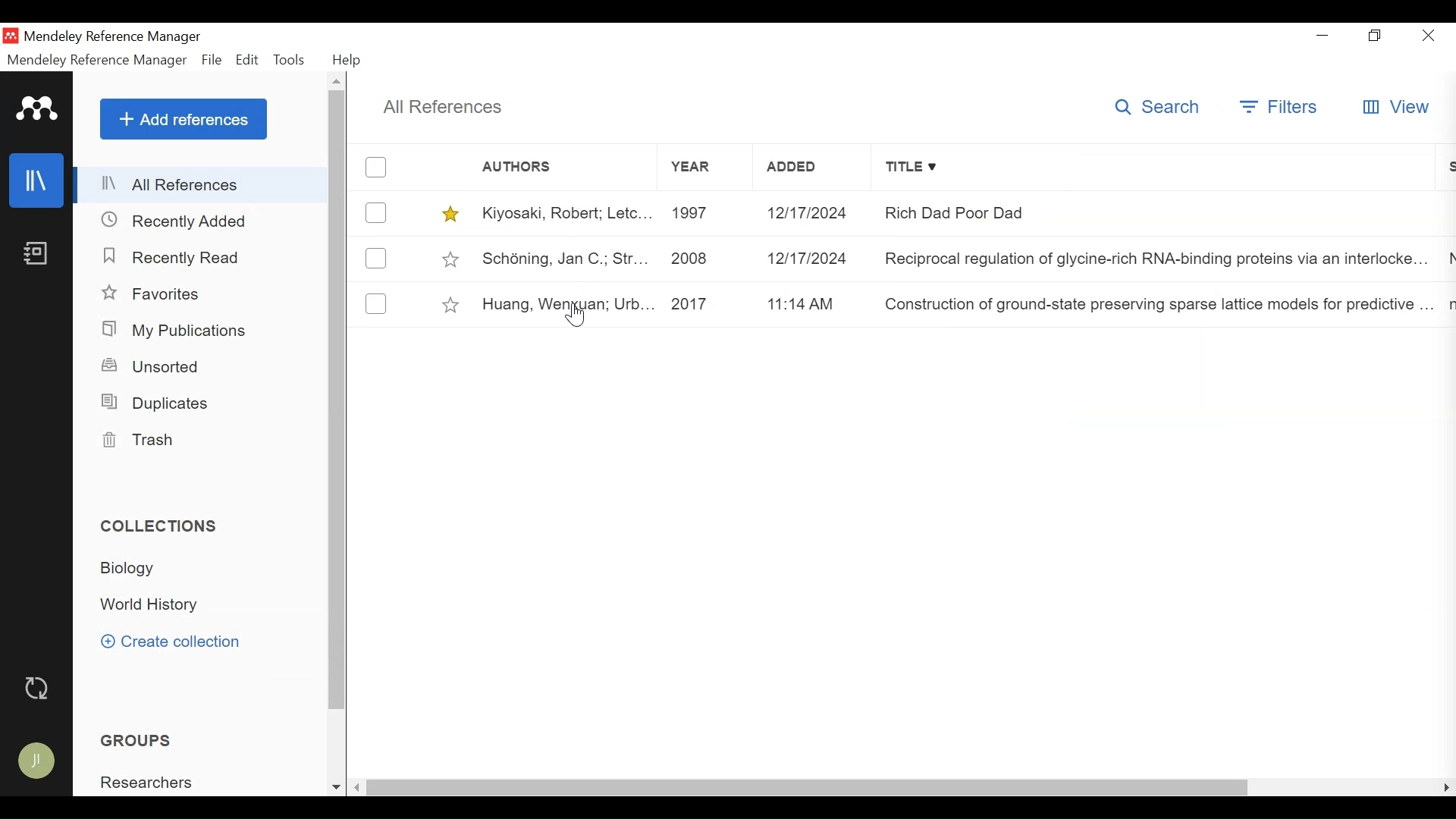 This screenshot has width=1456, height=819. What do you see at coordinates (565, 214) in the screenshot?
I see `Kiyosaki, Robert, Letc...` at bounding box center [565, 214].